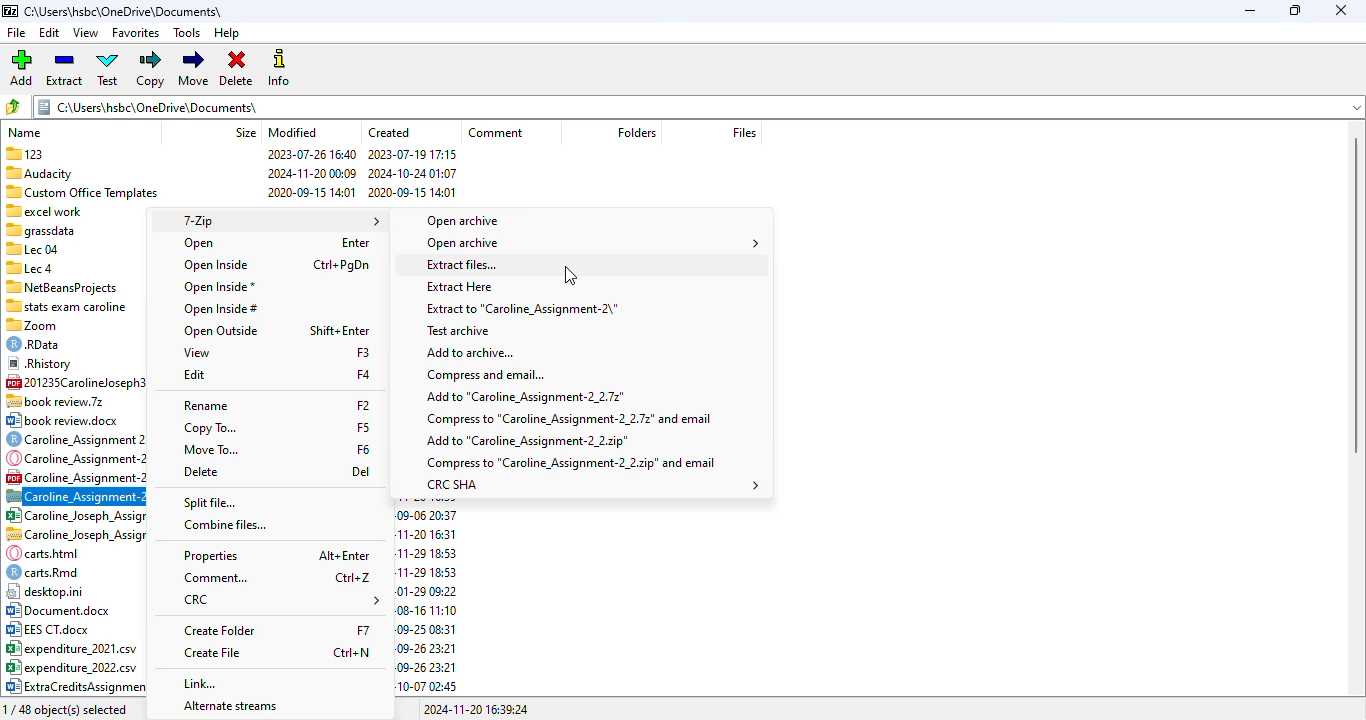  I want to click on tools, so click(188, 33).